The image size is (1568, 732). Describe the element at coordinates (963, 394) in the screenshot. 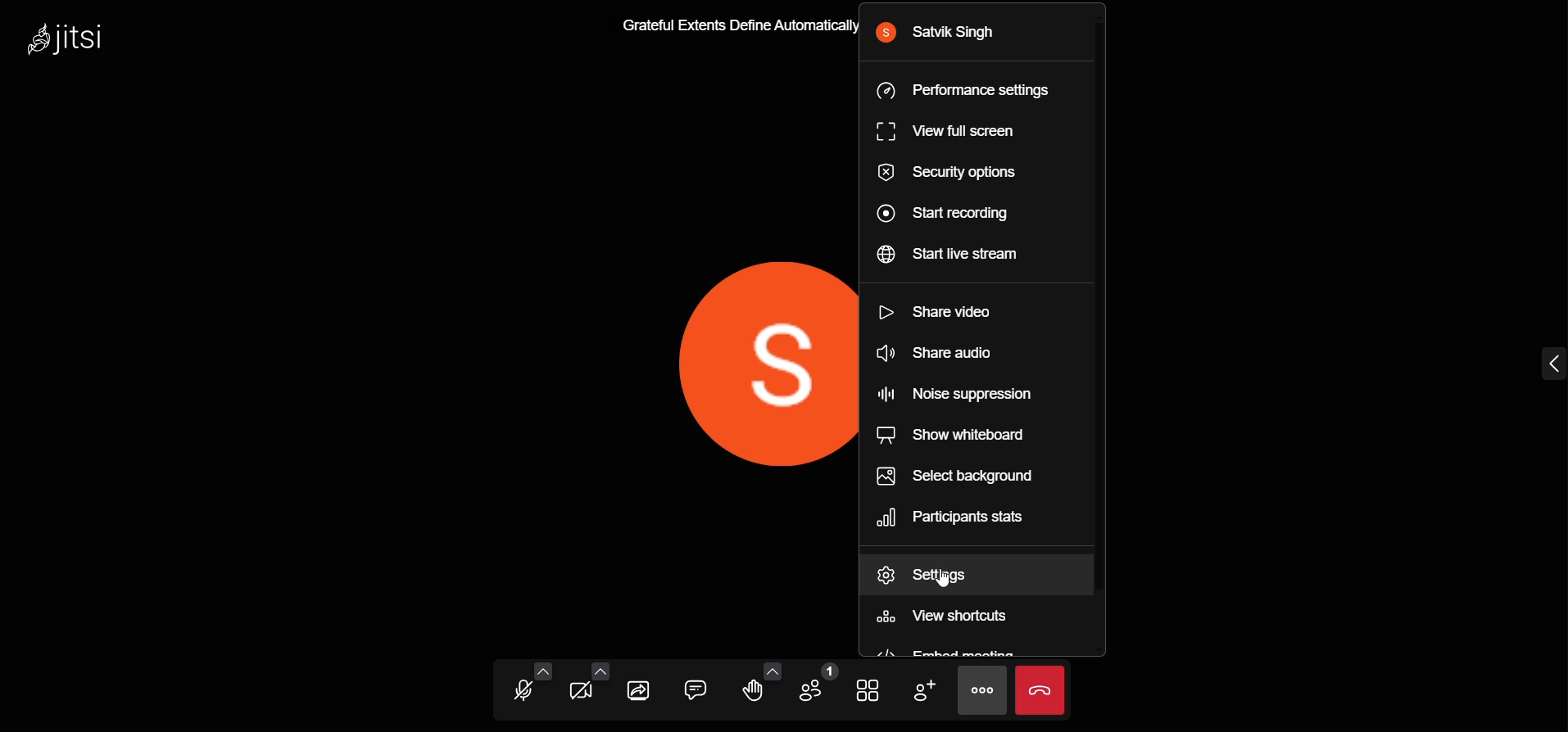

I see `noise suppression` at that location.